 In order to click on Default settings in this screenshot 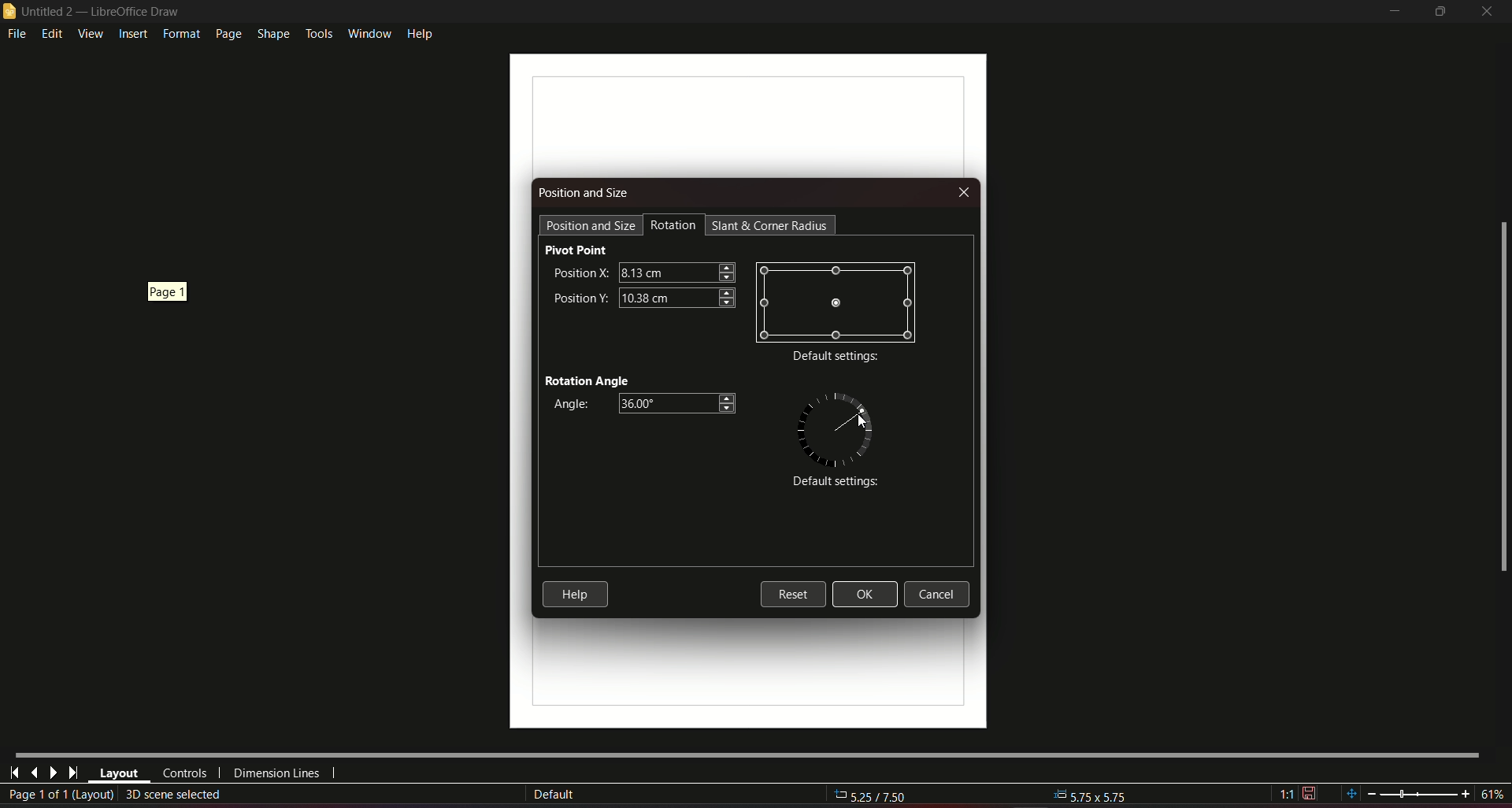, I will do `click(836, 358)`.